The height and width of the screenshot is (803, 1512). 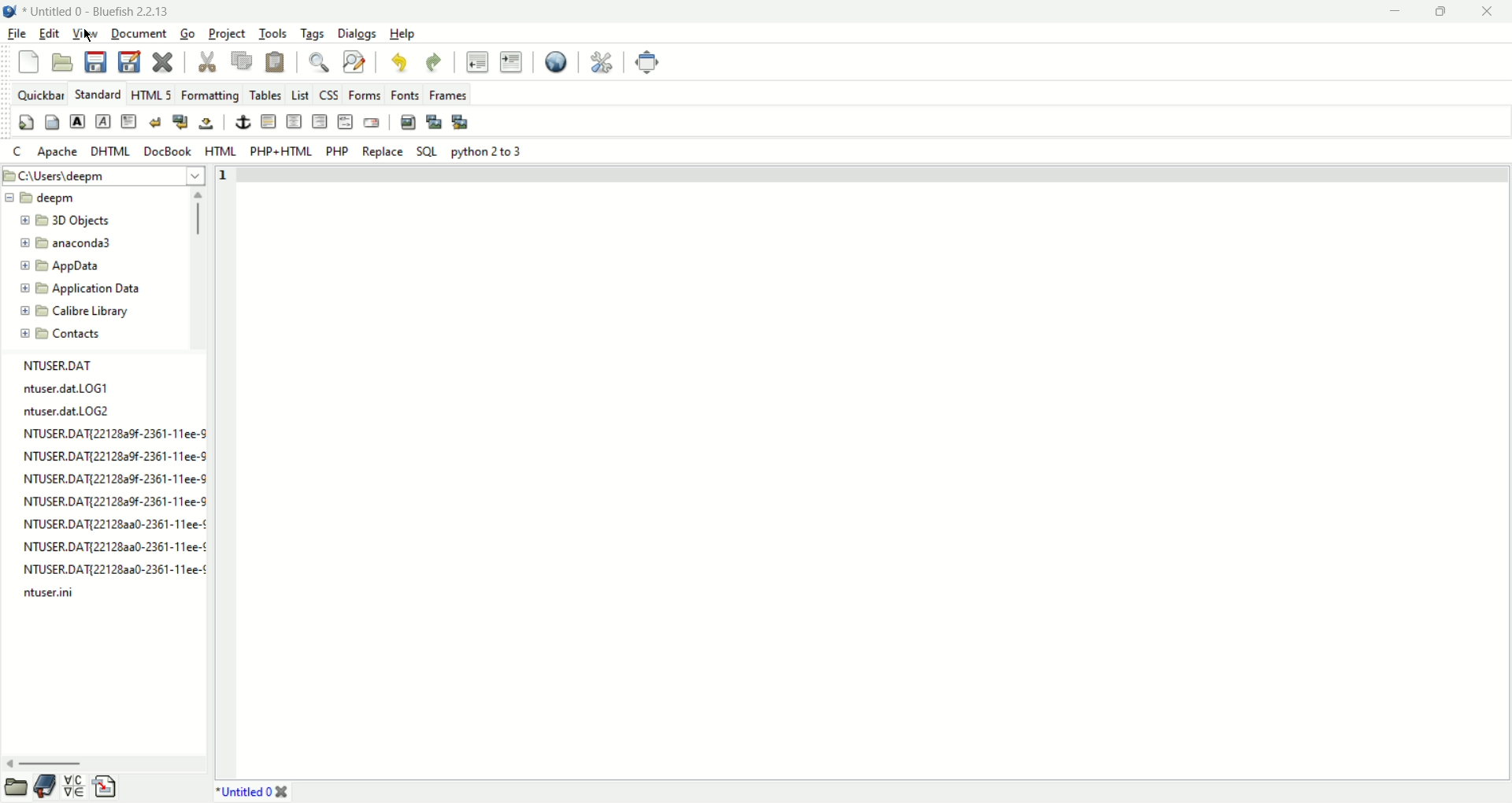 I want to click on new file, so click(x=28, y=61).